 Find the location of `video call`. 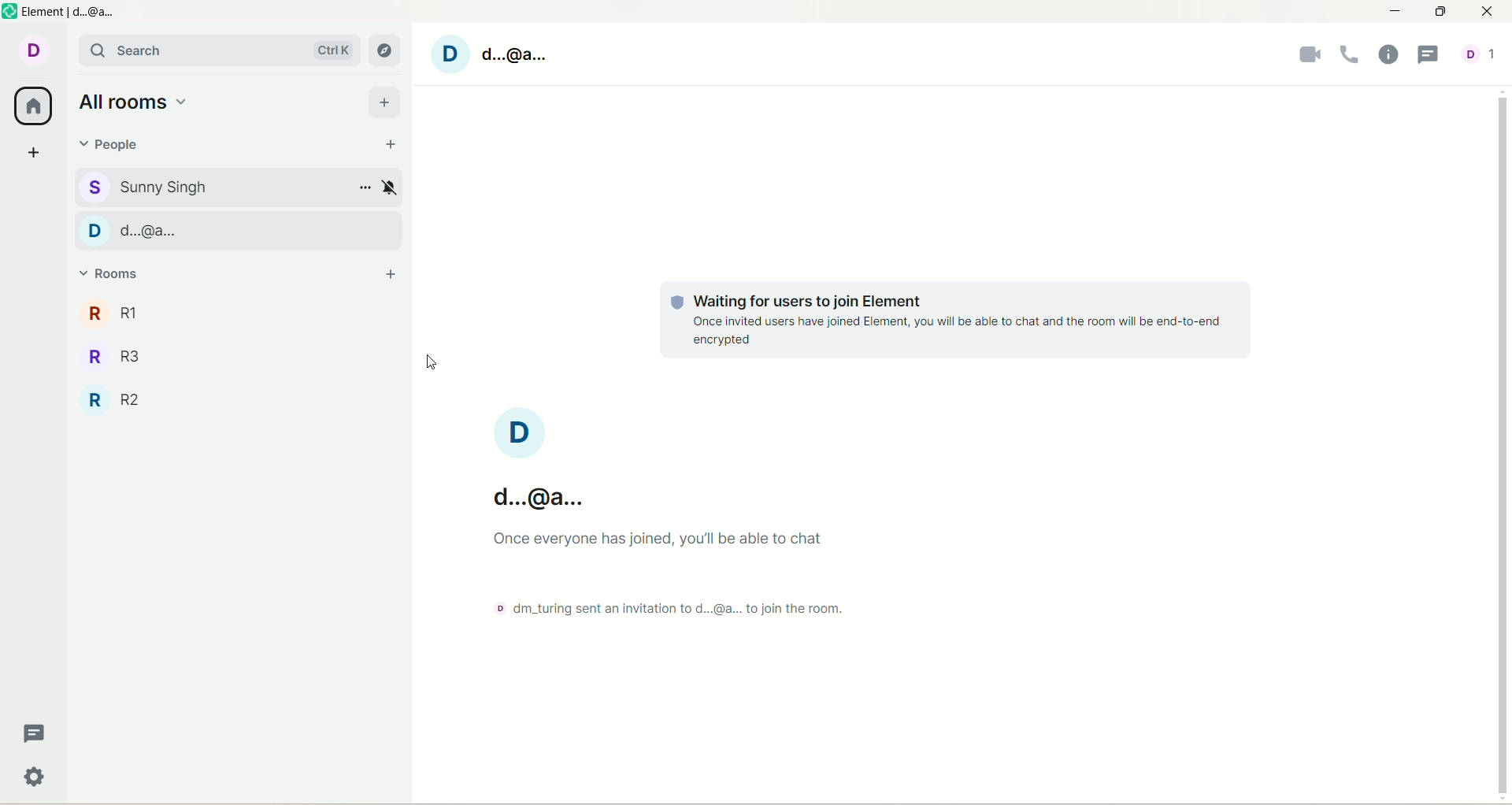

video call is located at coordinates (1306, 58).